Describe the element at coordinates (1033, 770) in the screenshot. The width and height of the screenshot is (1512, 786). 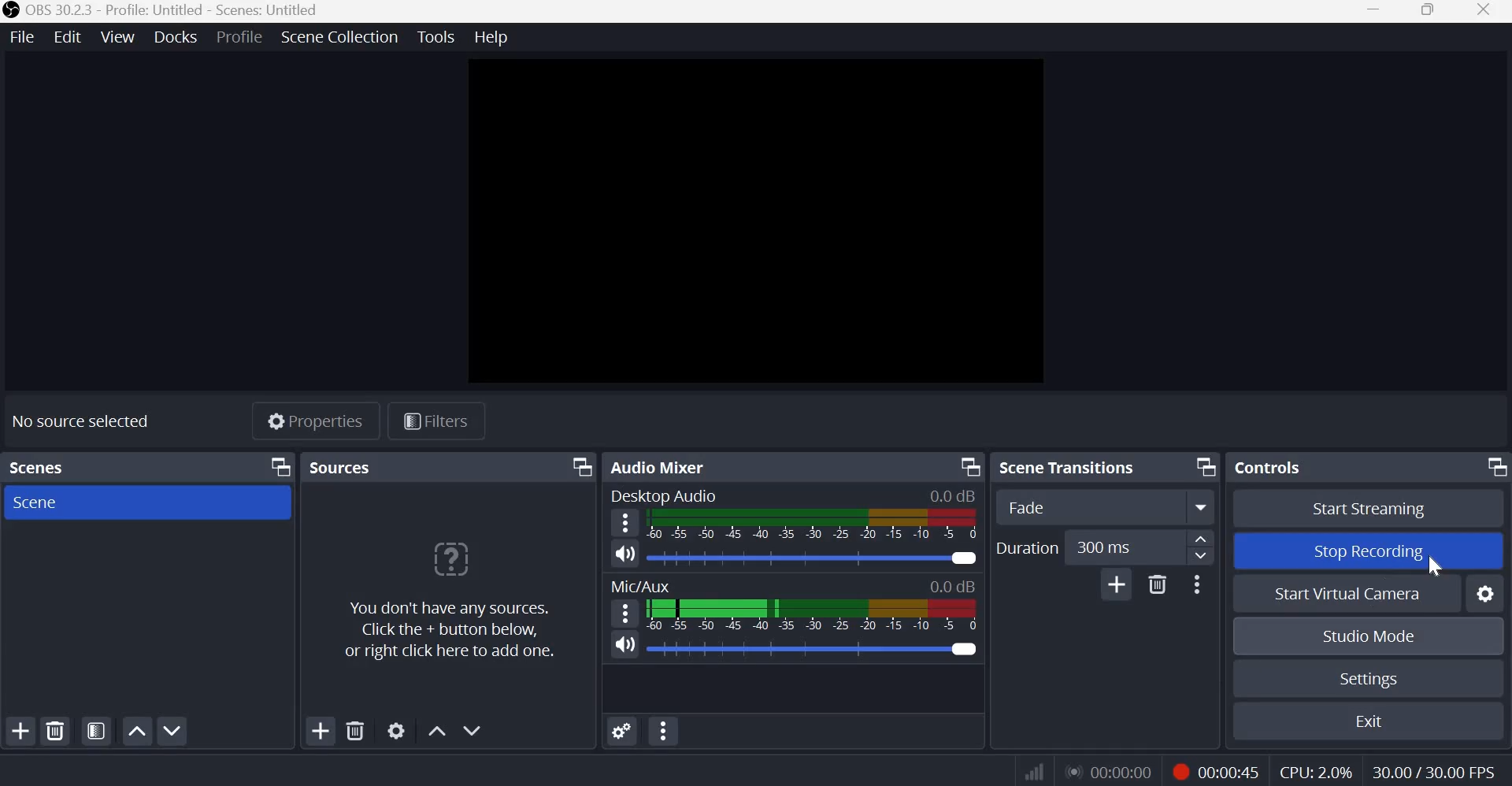
I see `Connection Status Indicator` at that location.